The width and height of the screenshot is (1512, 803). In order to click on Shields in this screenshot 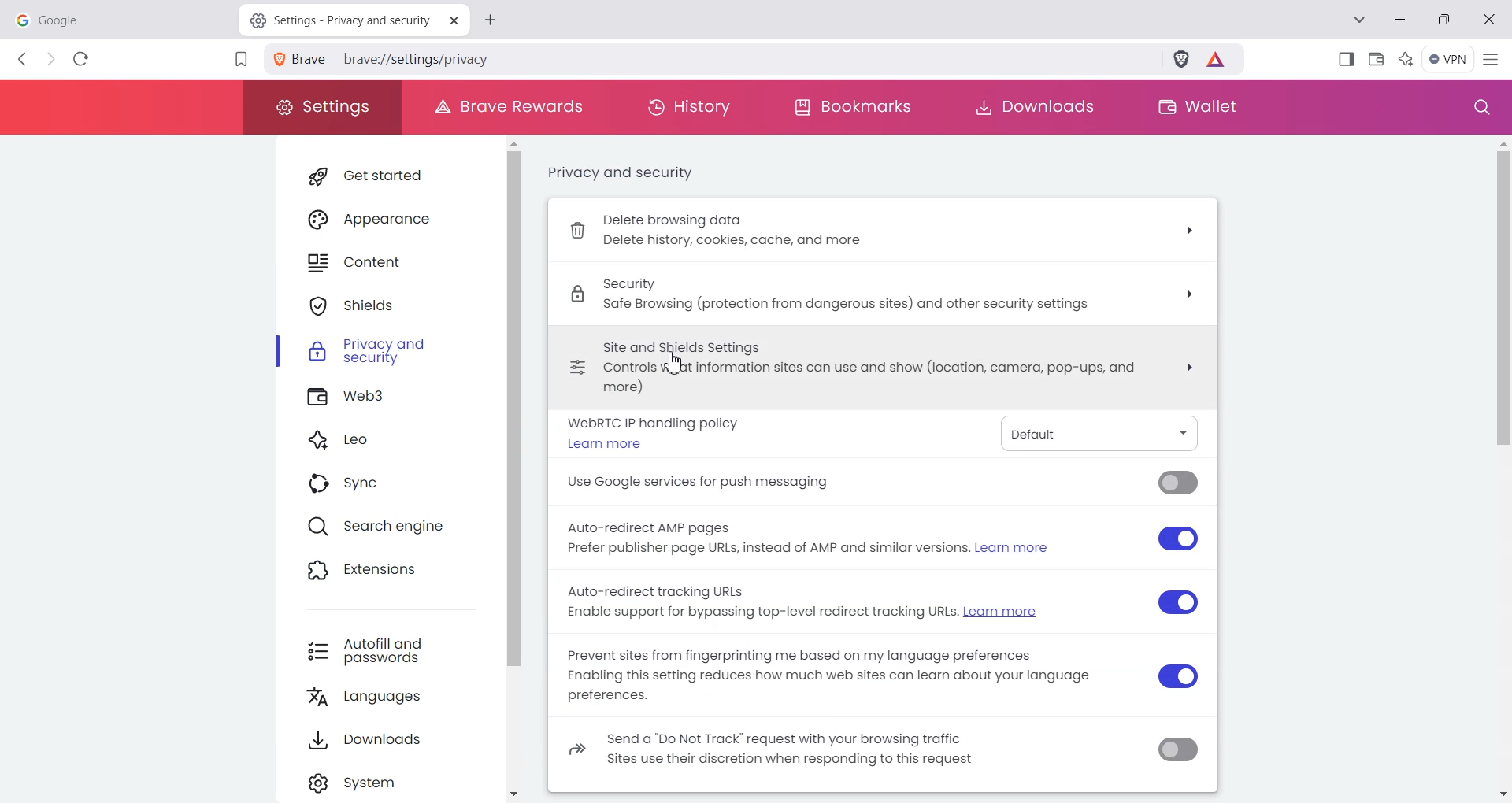, I will do `click(390, 305)`.